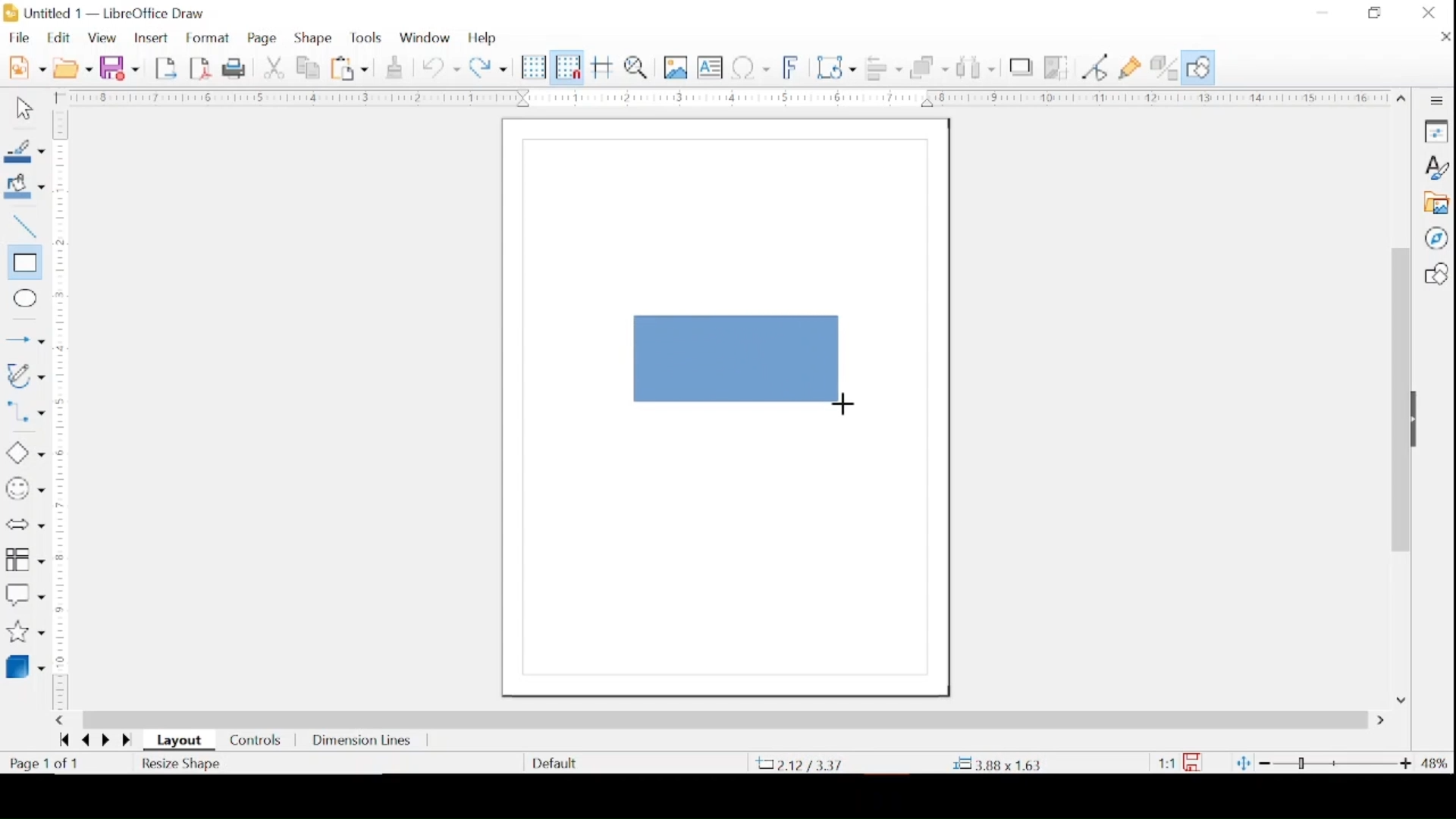 The height and width of the screenshot is (819, 1456). I want to click on show draw functions, so click(1131, 68).